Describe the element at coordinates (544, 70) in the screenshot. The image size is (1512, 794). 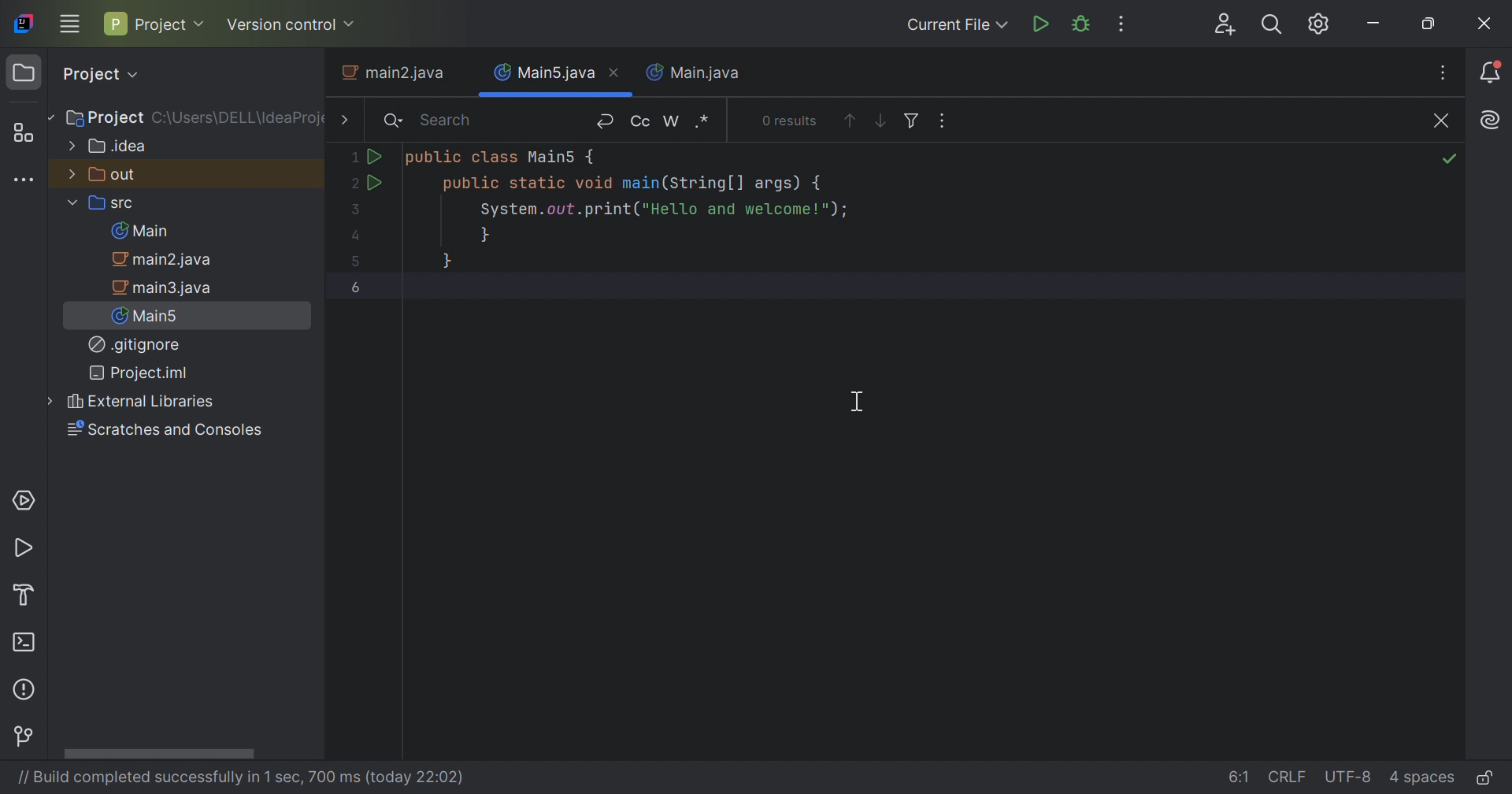
I see `Main5.java` at that location.